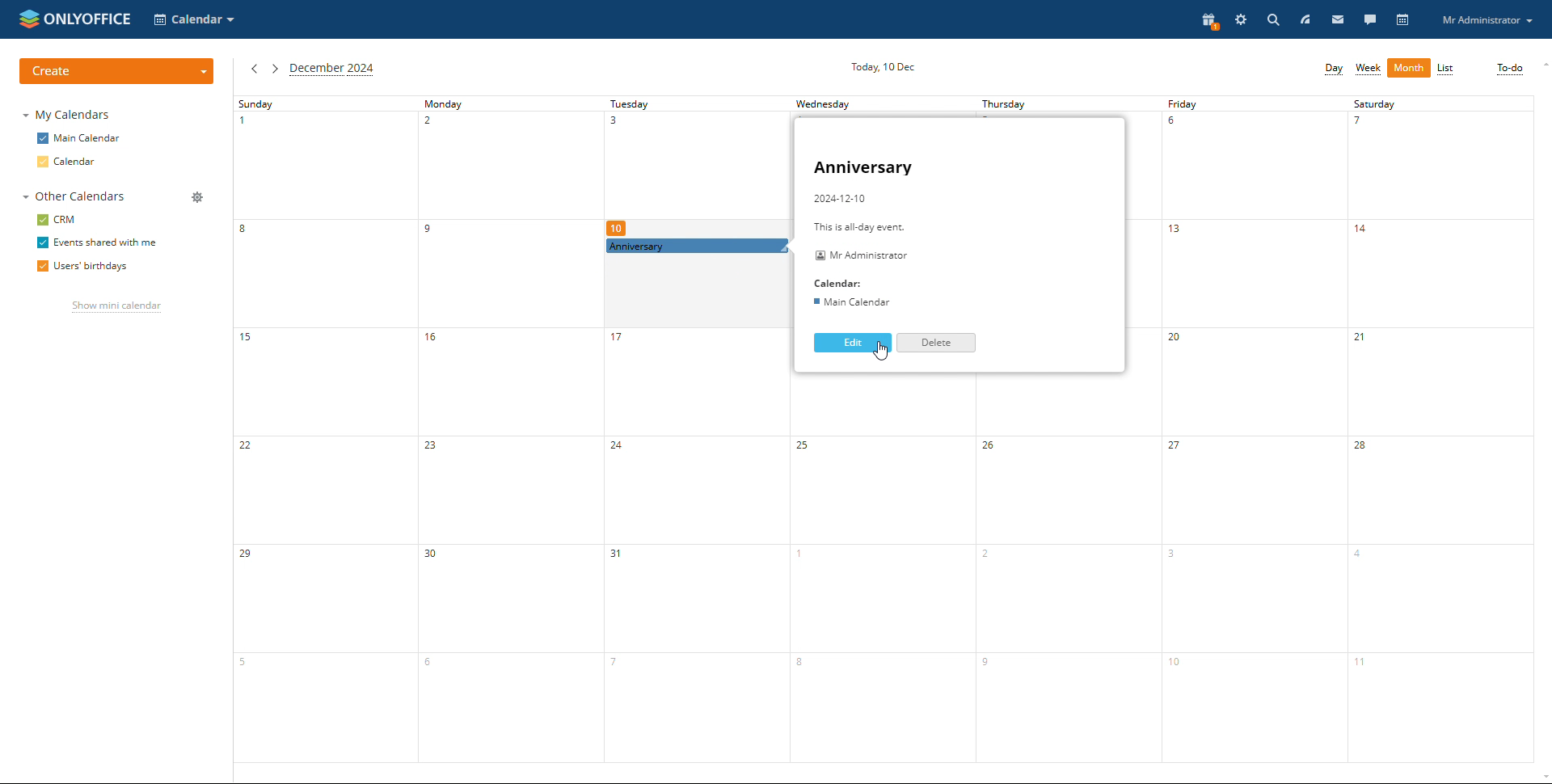 The width and height of the screenshot is (1552, 784). What do you see at coordinates (1250, 429) in the screenshot?
I see `friday` at bounding box center [1250, 429].